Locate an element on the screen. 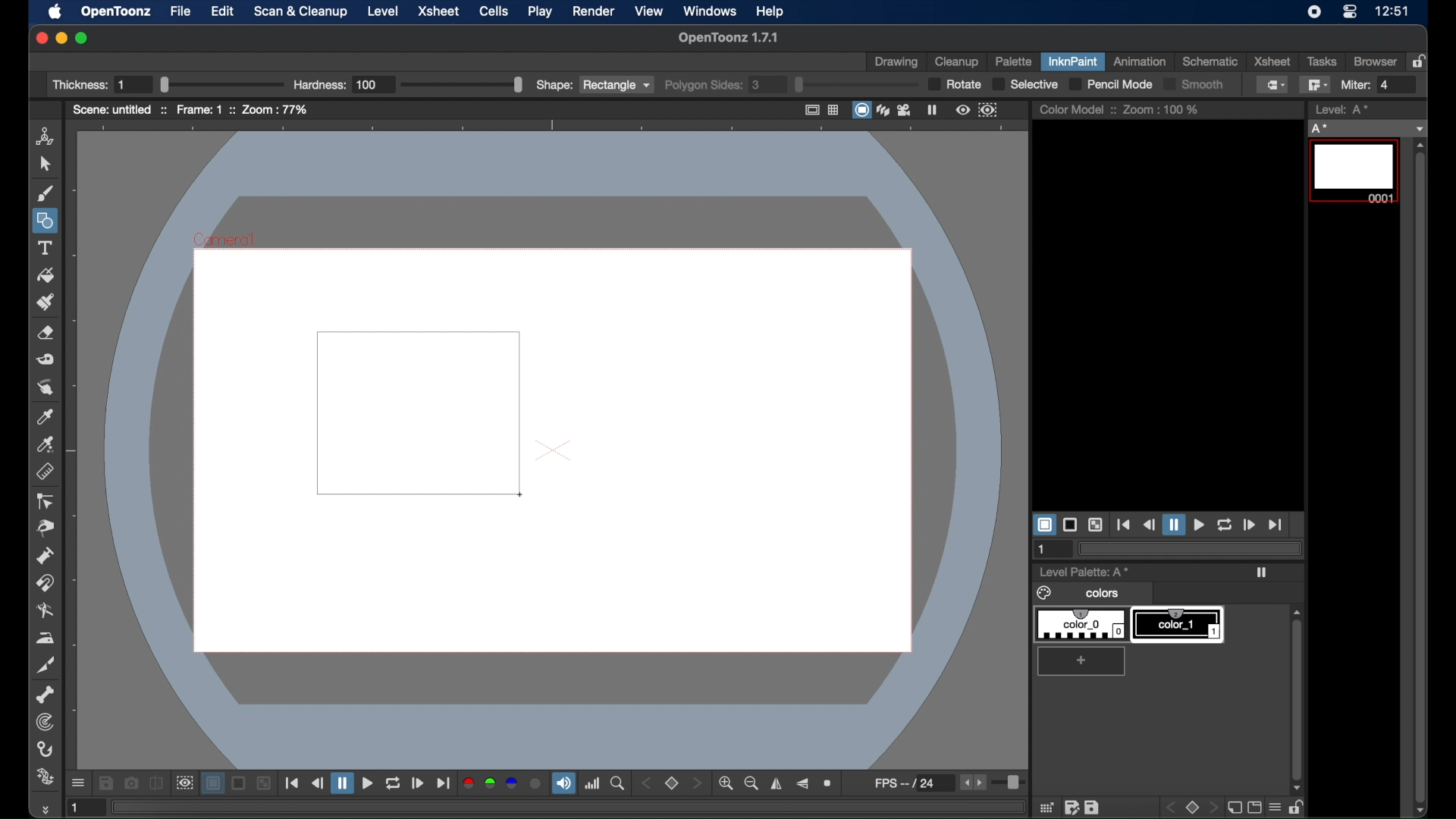 Image resolution: width=1456 pixels, height=819 pixels. polygon sides is located at coordinates (789, 85).